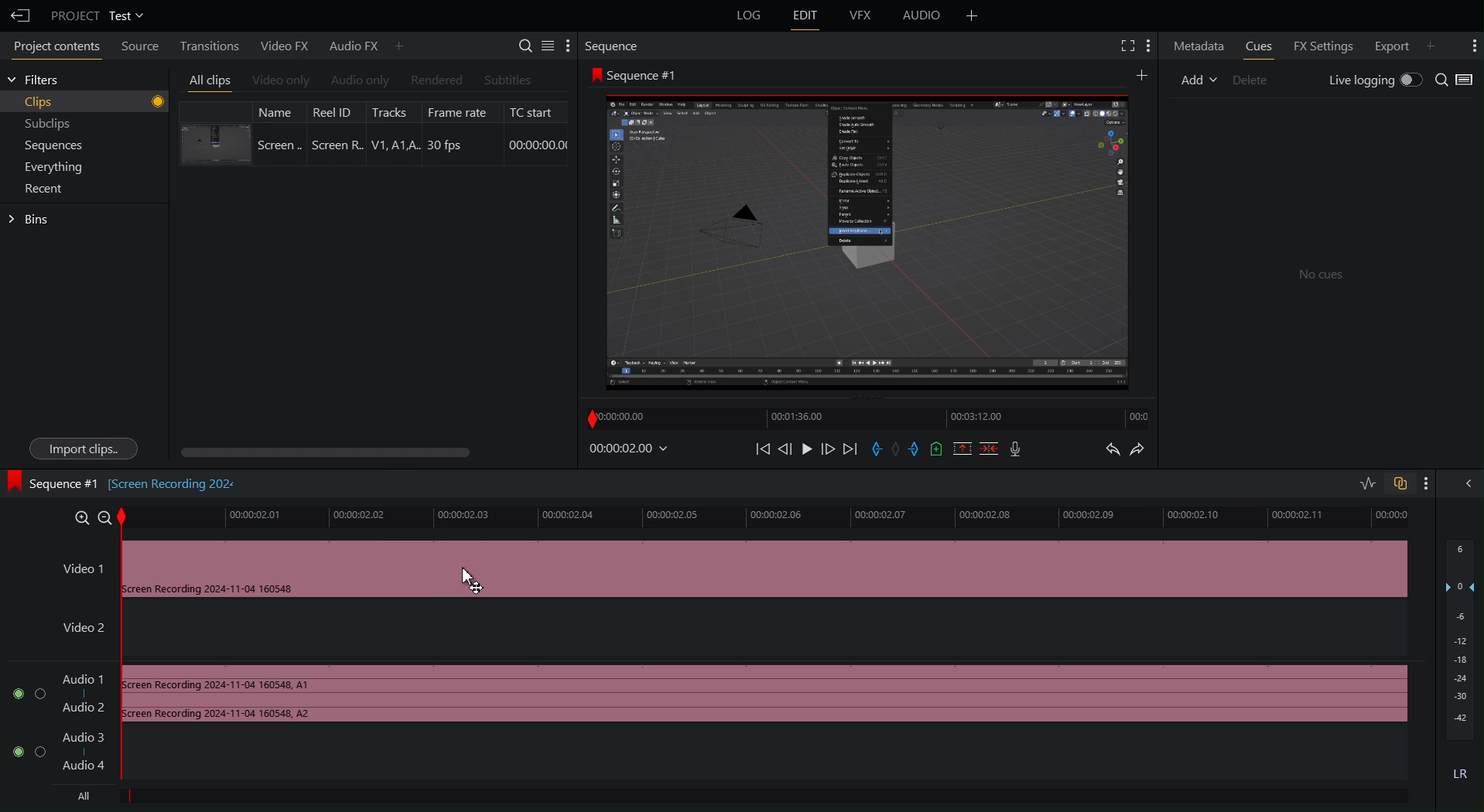 The width and height of the screenshot is (1484, 812). Describe the element at coordinates (1148, 450) in the screenshot. I see `Redo` at that location.